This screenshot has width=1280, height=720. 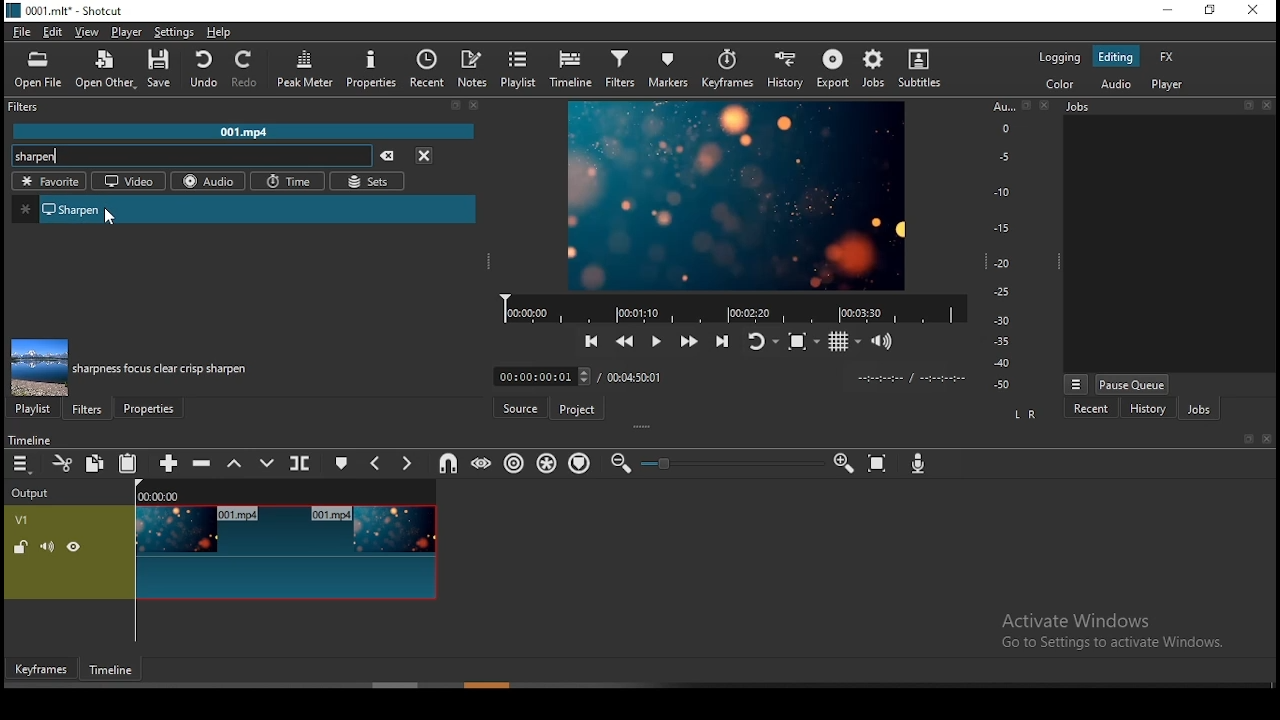 What do you see at coordinates (110, 217) in the screenshot?
I see `cursor` at bounding box center [110, 217].